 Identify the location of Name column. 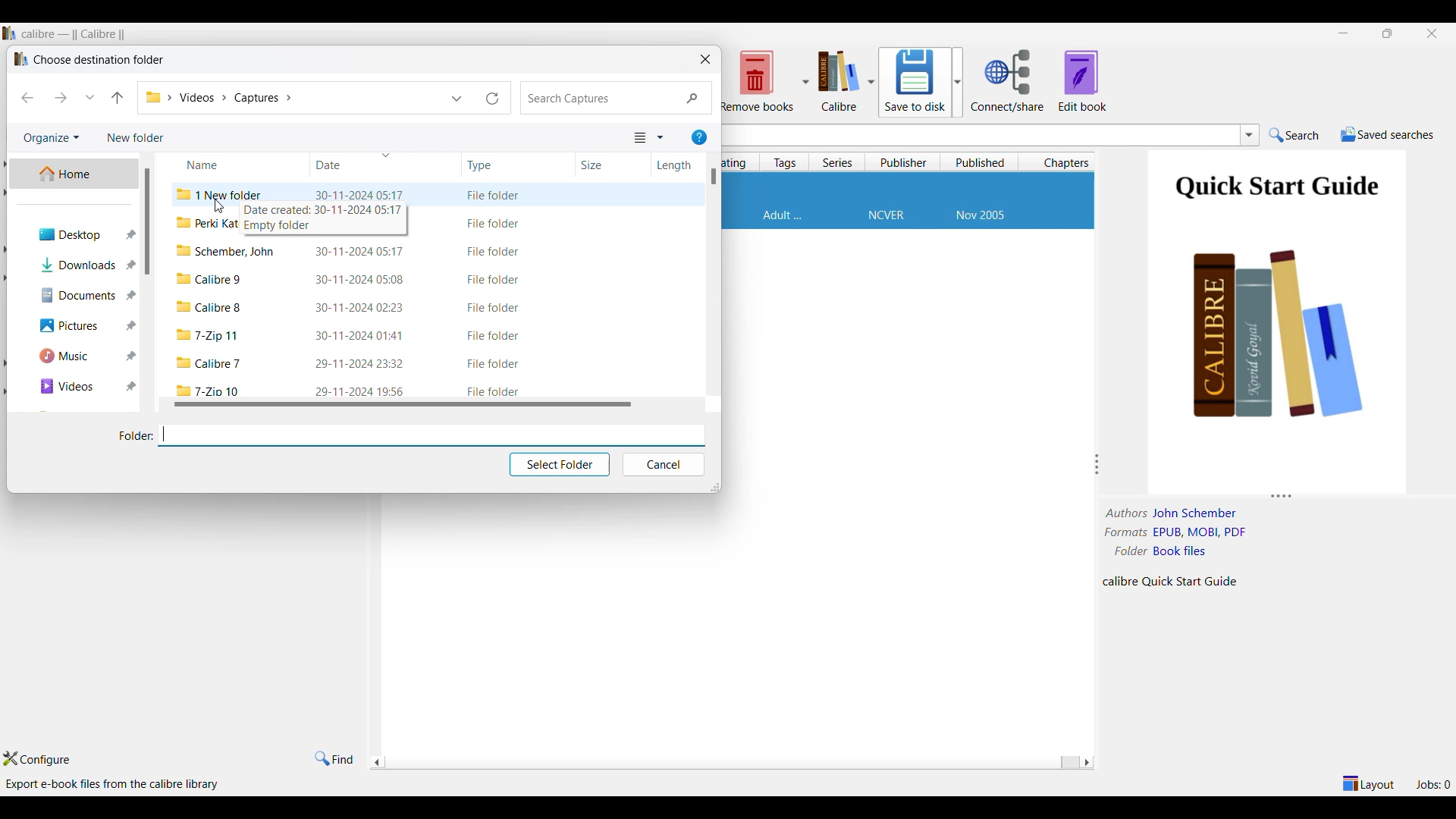
(217, 162).